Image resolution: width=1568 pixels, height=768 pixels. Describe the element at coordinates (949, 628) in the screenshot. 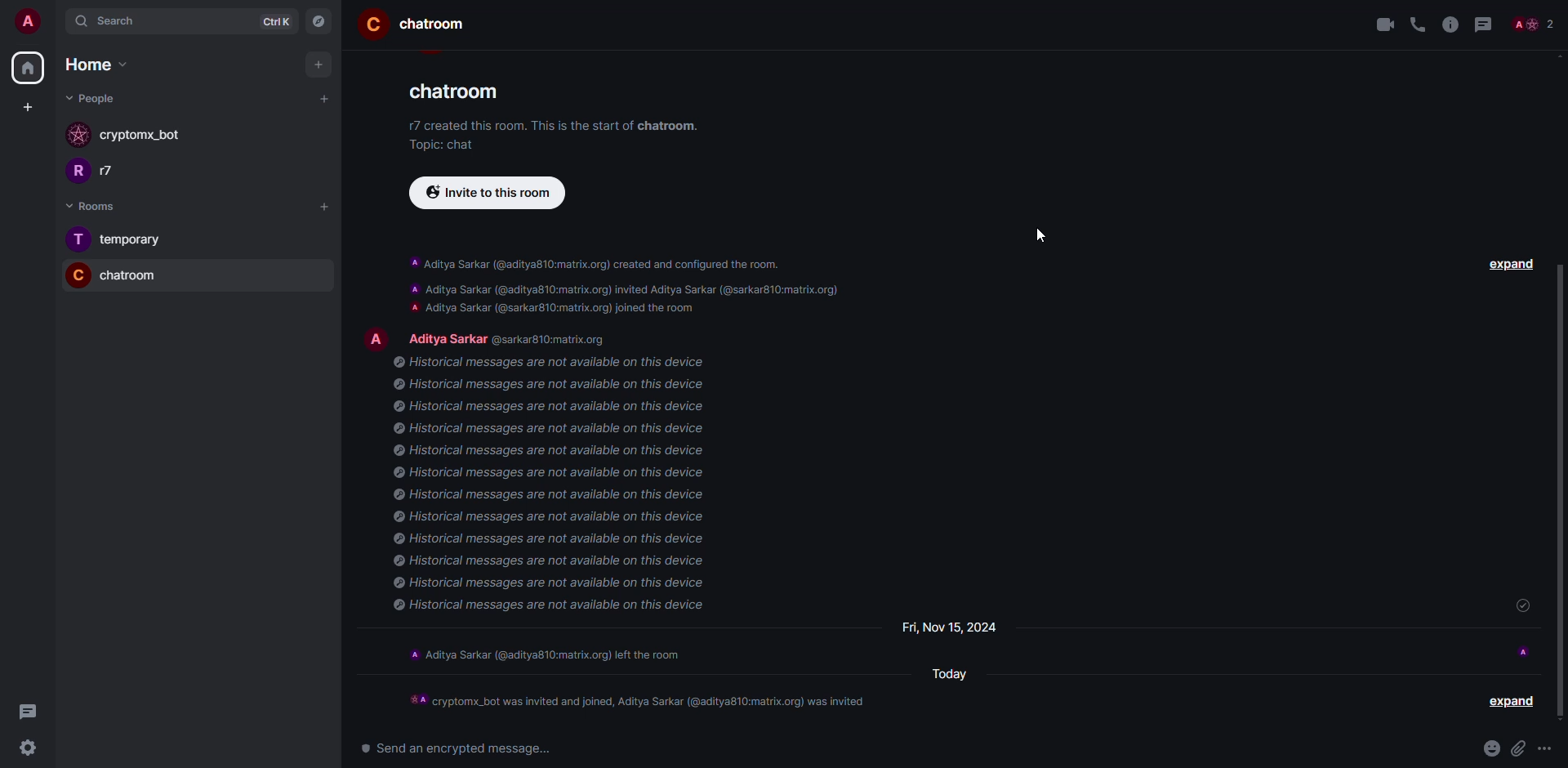

I see `day` at that location.